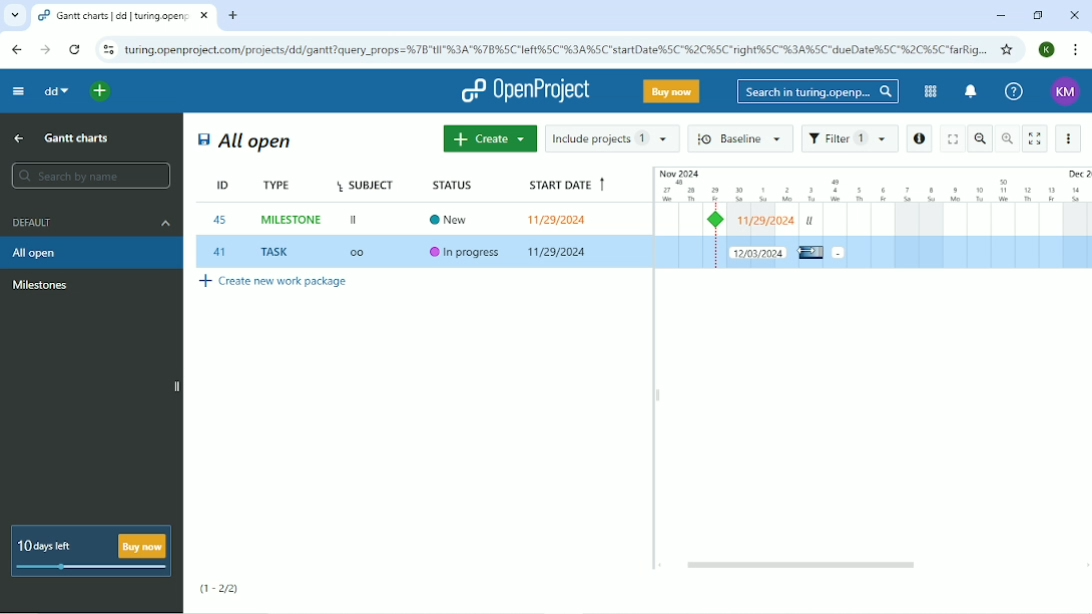 This screenshot has height=614, width=1092. I want to click on Help, so click(1012, 90).